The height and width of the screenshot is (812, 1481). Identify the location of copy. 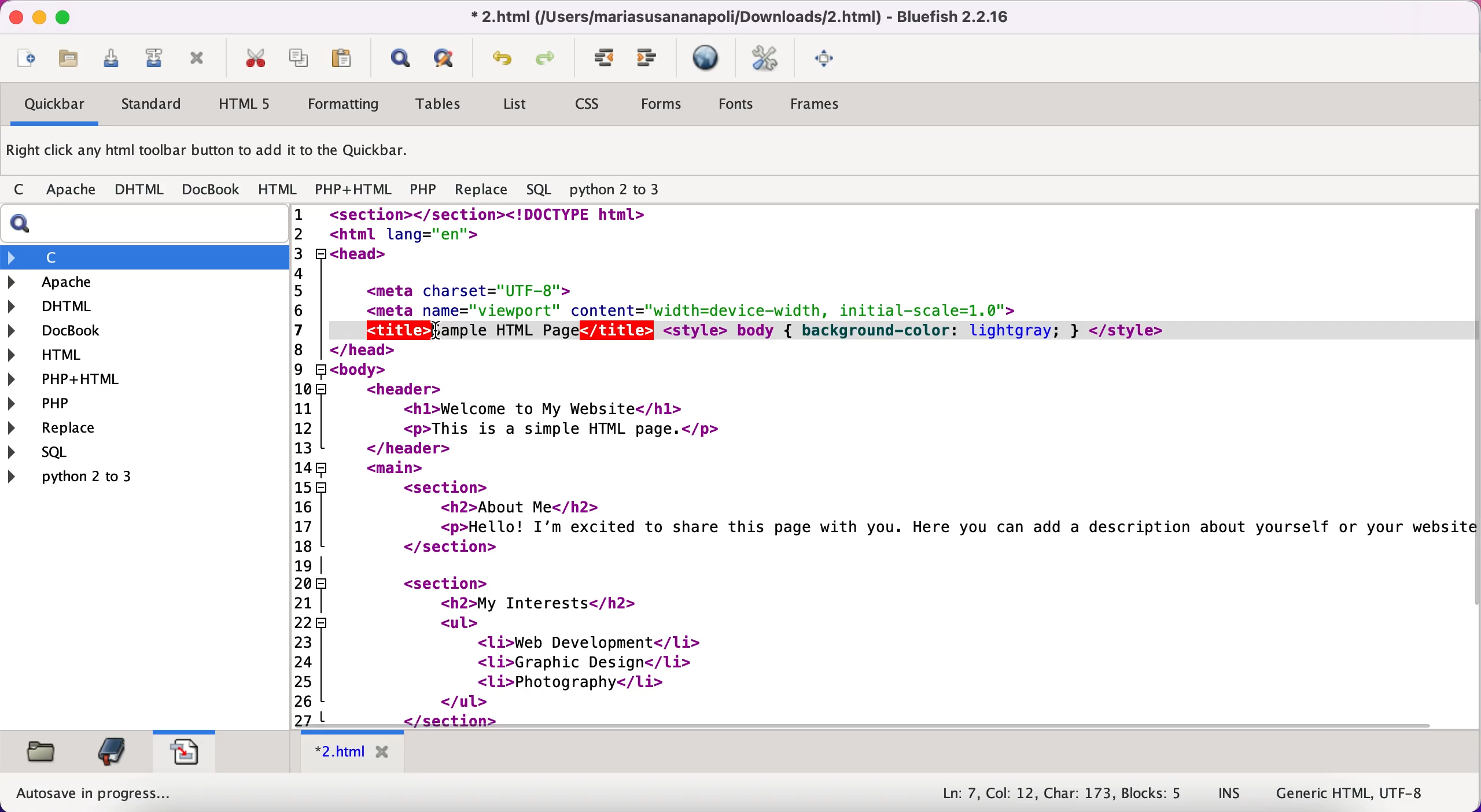
(301, 57).